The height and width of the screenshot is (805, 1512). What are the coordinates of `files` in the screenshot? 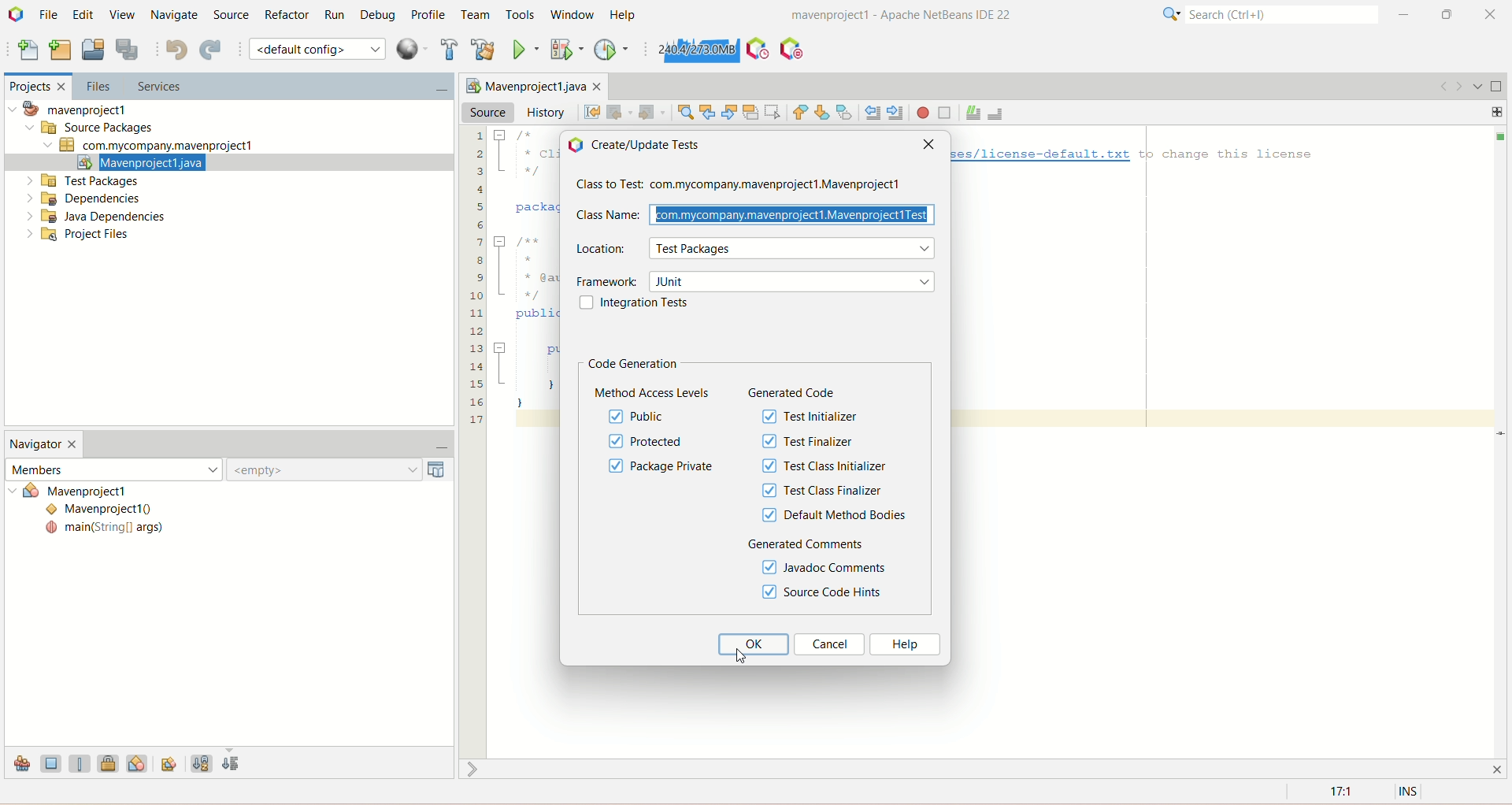 It's located at (95, 87).